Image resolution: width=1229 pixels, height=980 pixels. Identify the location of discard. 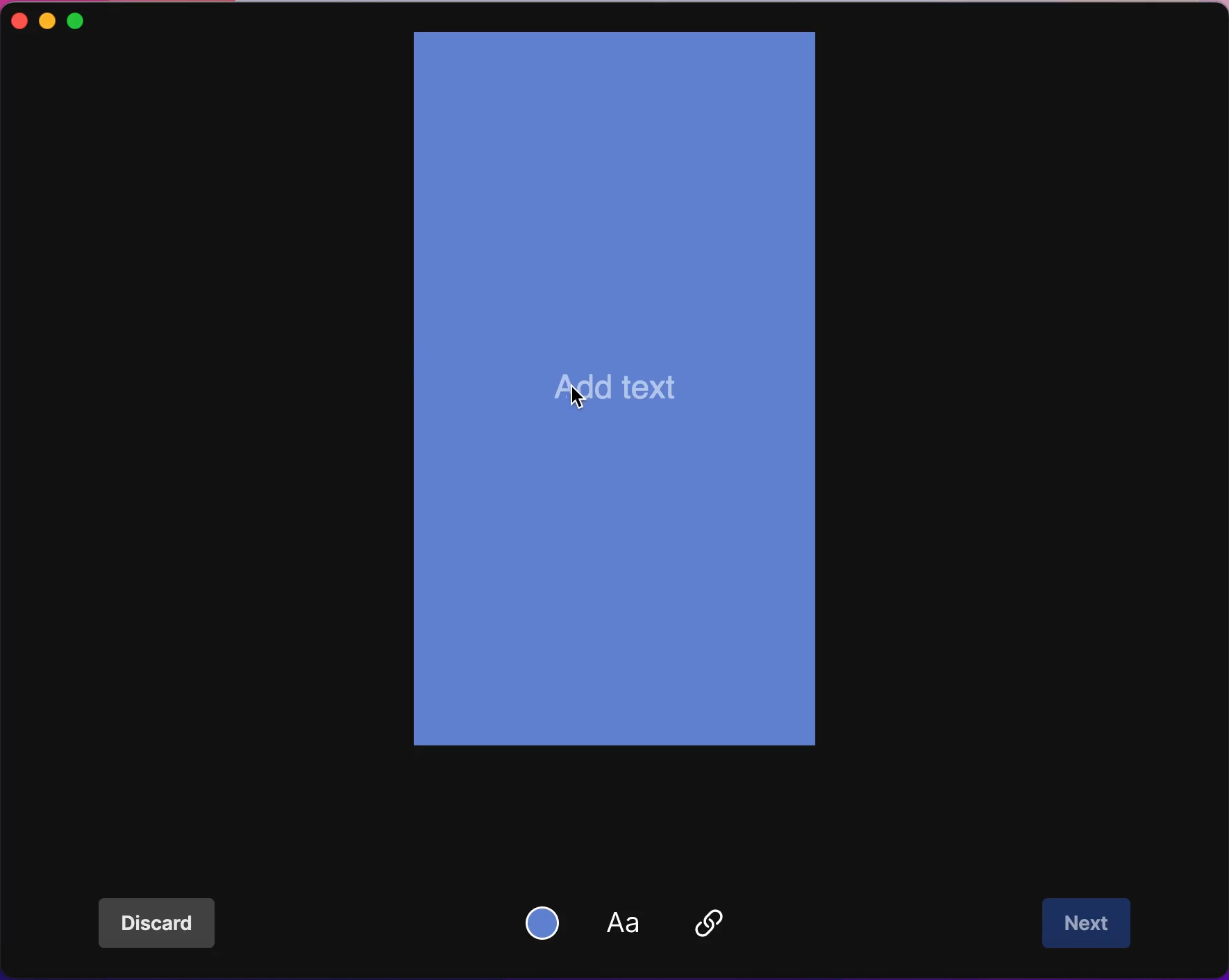
(165, 924).